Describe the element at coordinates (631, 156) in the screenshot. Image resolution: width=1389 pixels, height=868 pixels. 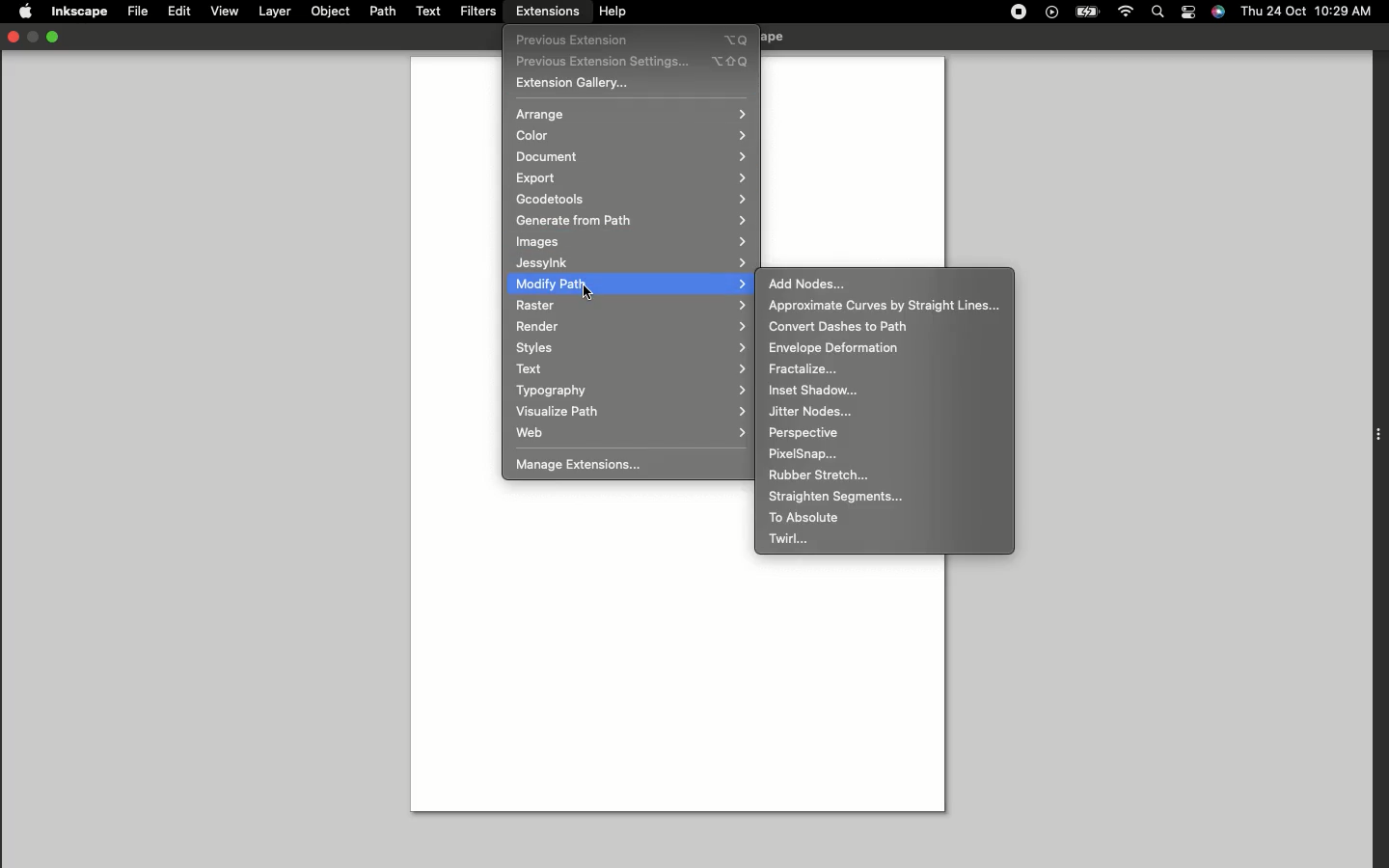
I see `Document` at that location.